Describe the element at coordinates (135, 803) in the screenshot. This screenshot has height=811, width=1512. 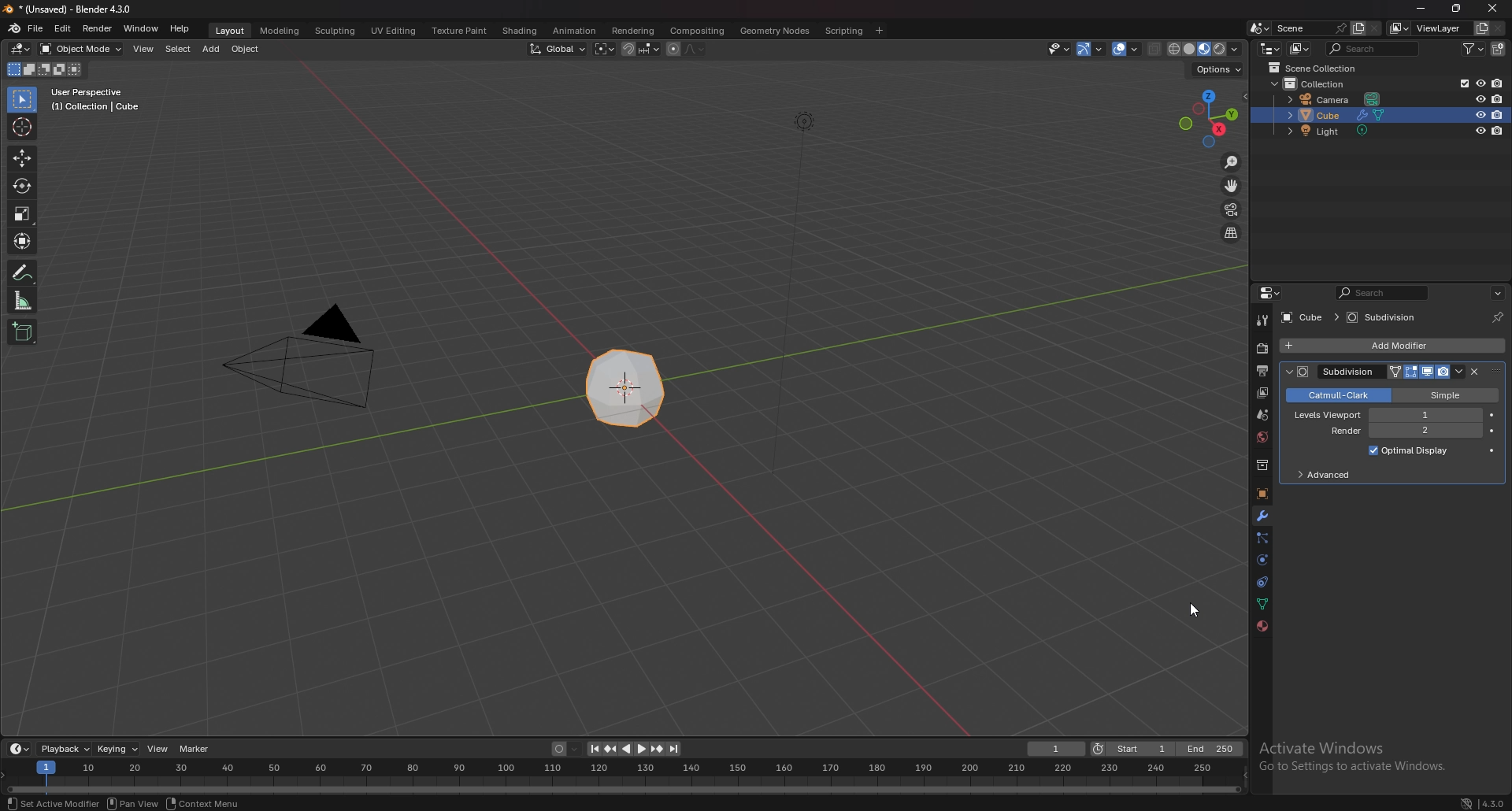
I see `pan view` at that location.